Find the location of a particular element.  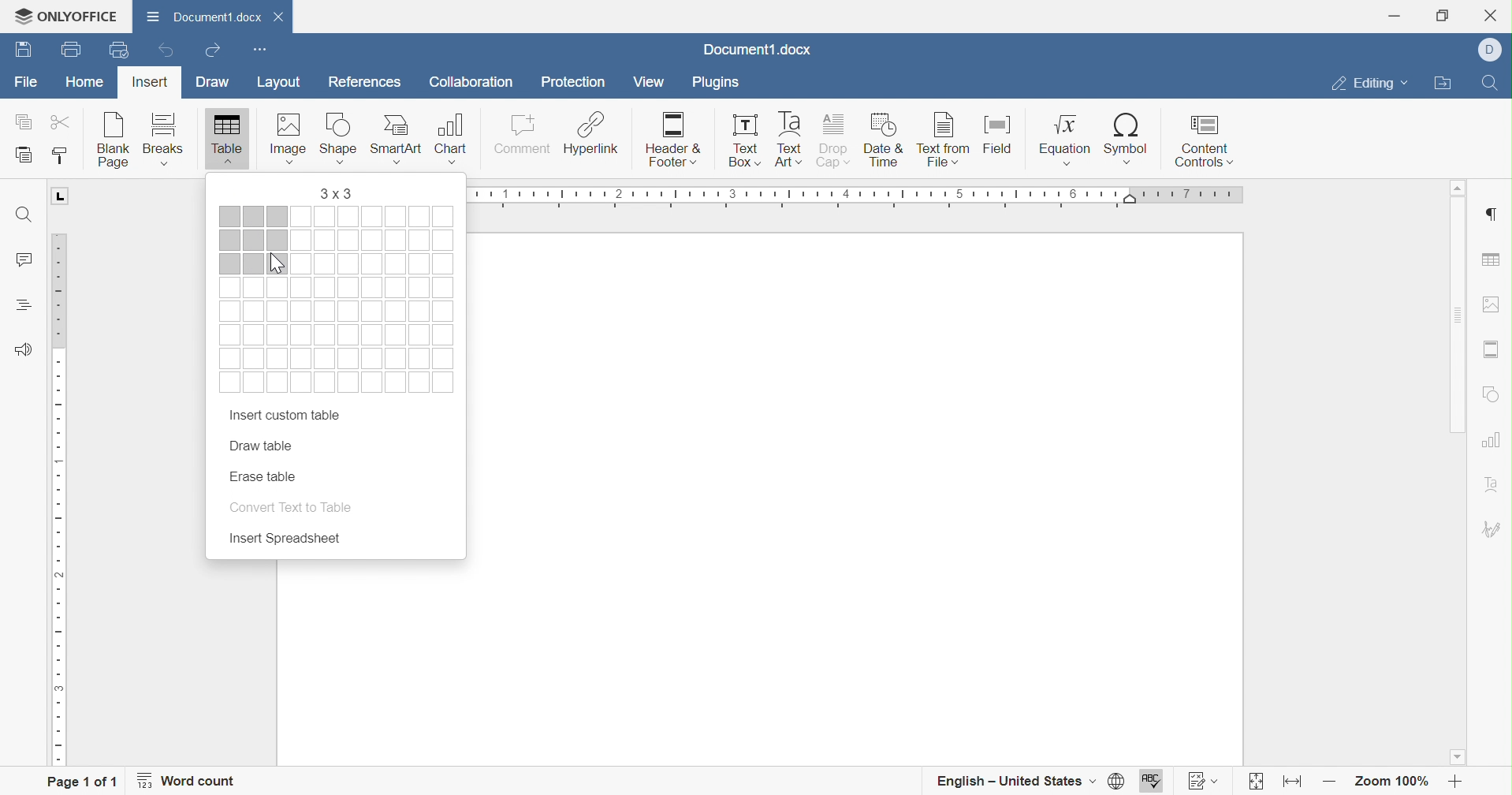

Zoom 100% is located at coordinates (1395, 782).